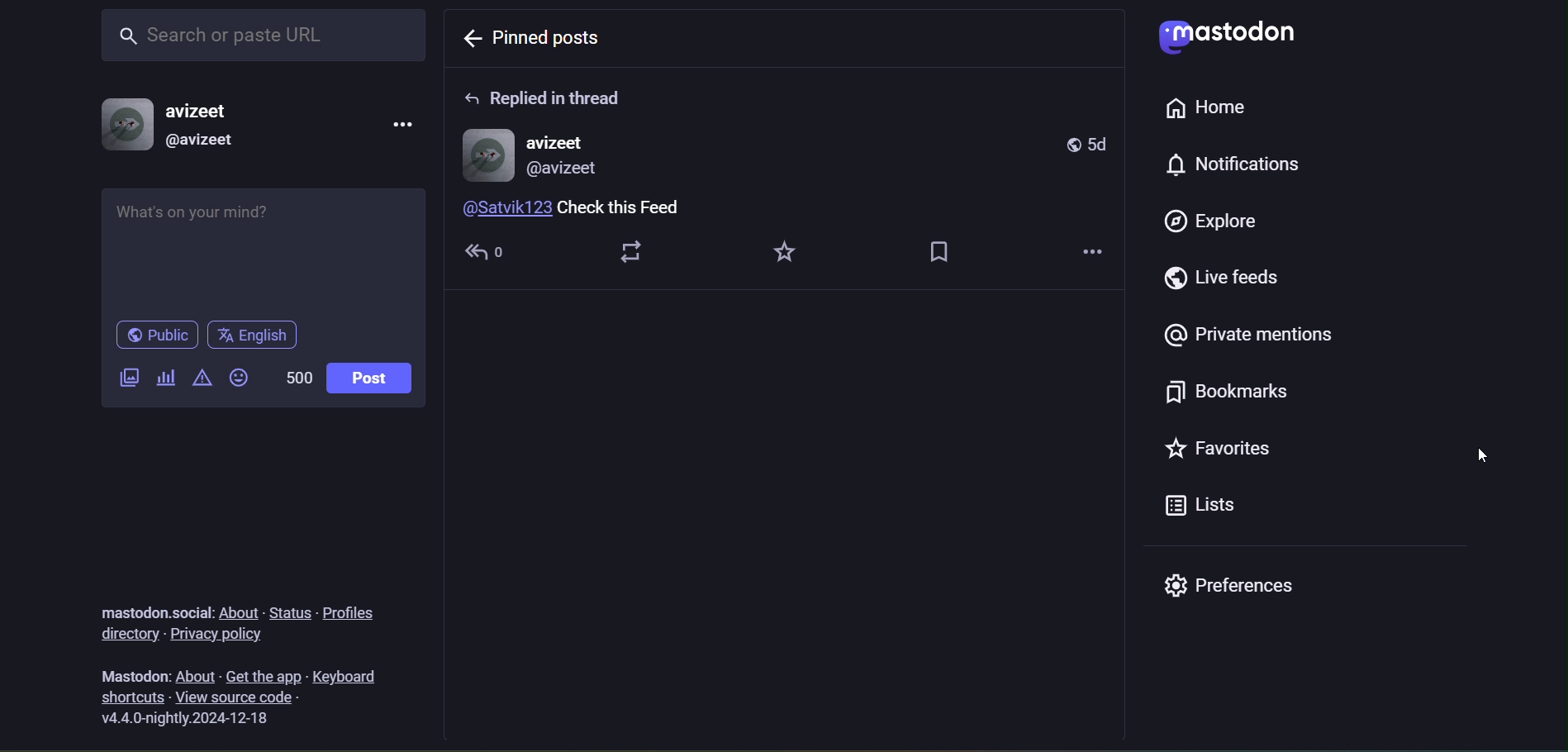  What do you see at coordinates (494, 252) in the screenshot?
I see `reply` at bounding box center [494, 252].